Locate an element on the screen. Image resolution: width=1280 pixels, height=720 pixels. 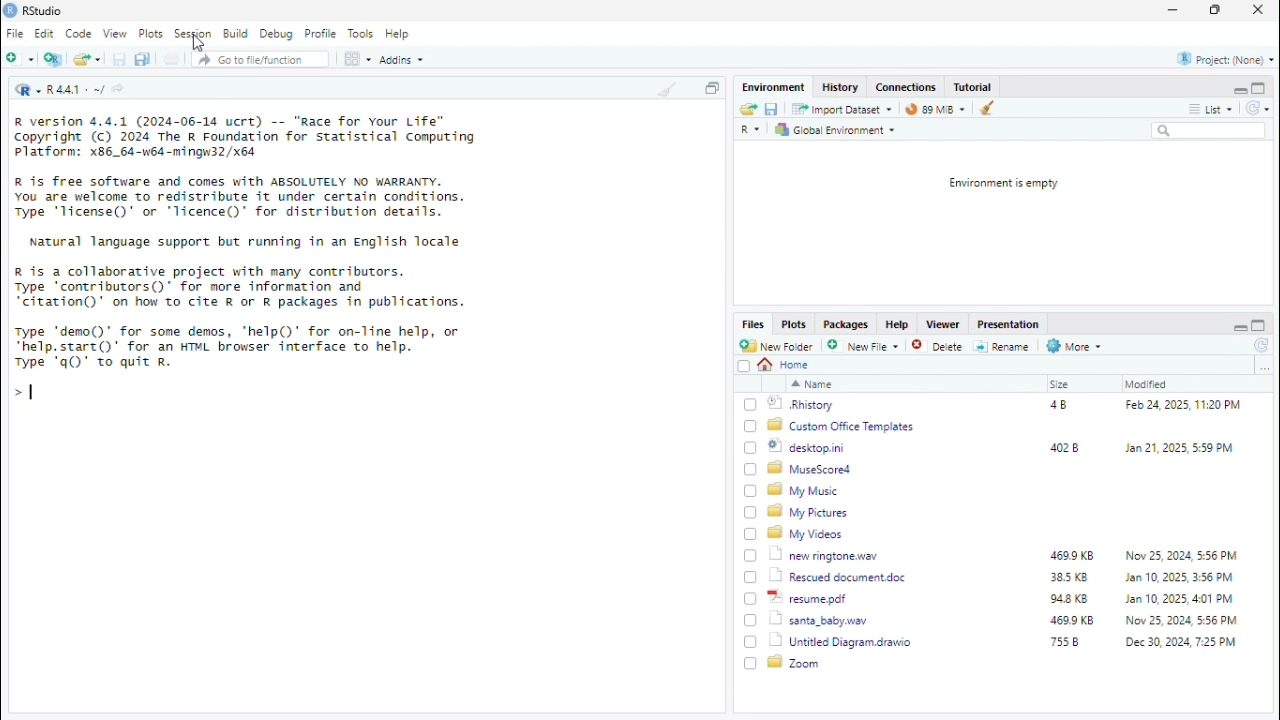
Tools is located at coordinates (363, 33).